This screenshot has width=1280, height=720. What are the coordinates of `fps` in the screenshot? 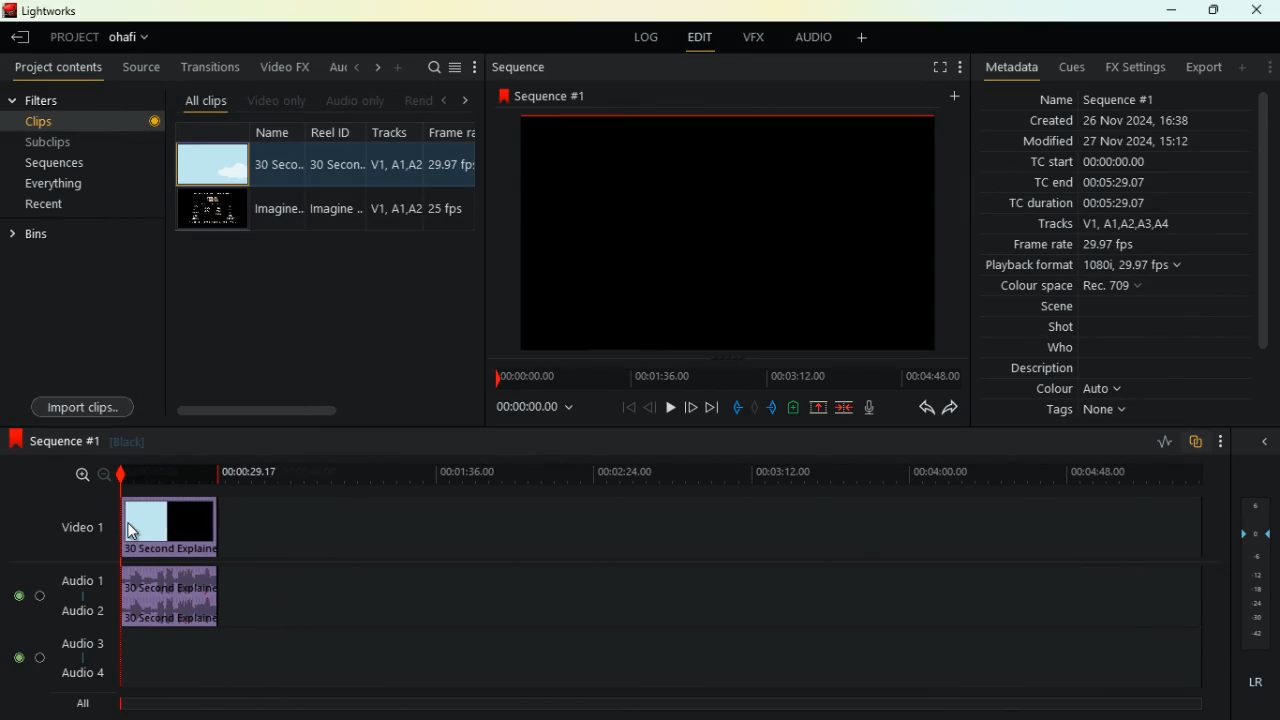 It's located at (452, 177).